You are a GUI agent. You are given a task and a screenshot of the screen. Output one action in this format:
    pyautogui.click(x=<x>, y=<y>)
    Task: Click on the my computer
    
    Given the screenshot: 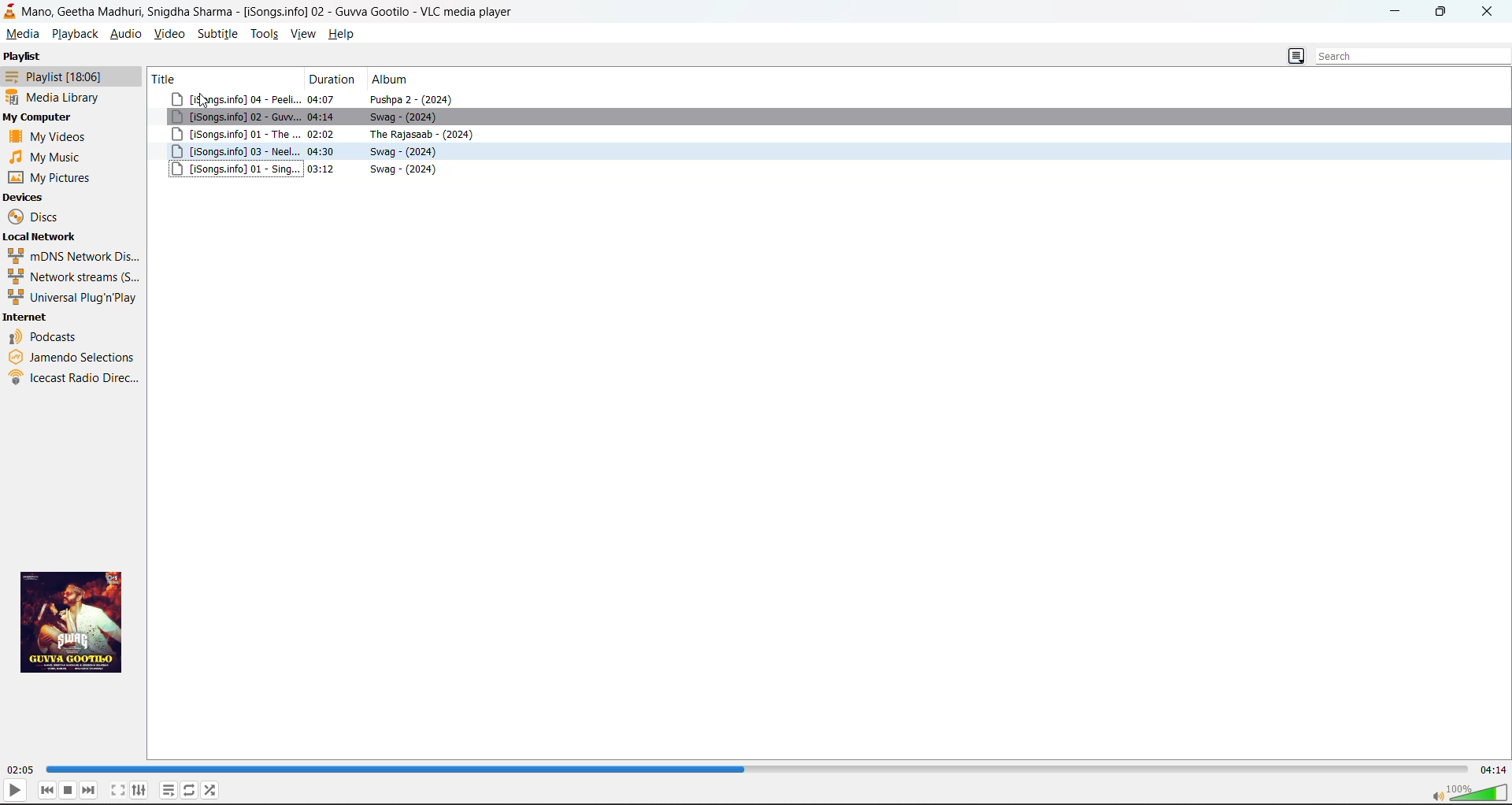 What is the action you would take?
    pyautogui.click(x=39, y=117)
    